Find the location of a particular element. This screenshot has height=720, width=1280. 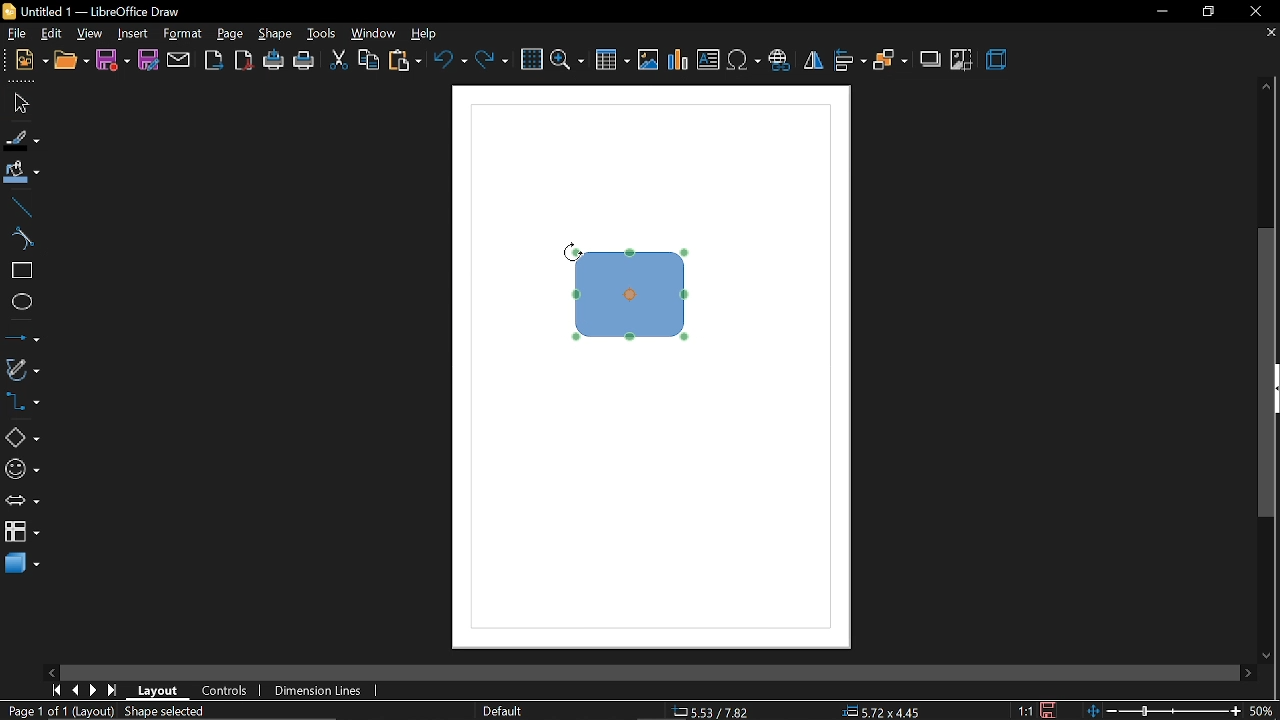

zoom change is located at coordinates (1164, 712).